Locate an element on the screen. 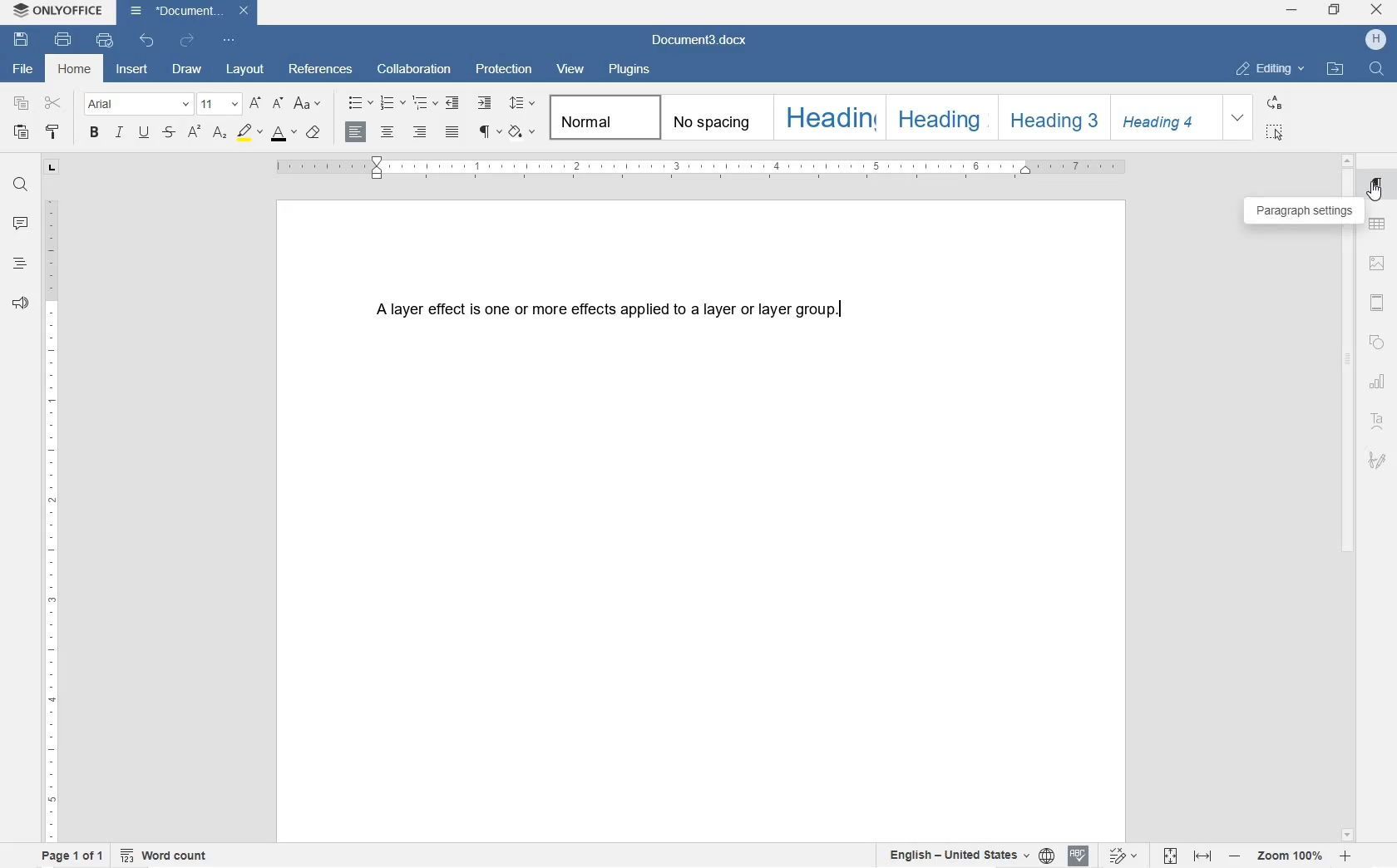 The height and width of the screenshot is (868, 1397). PARAGRAPH LINE SPACING is located at coordinates (522, 104).